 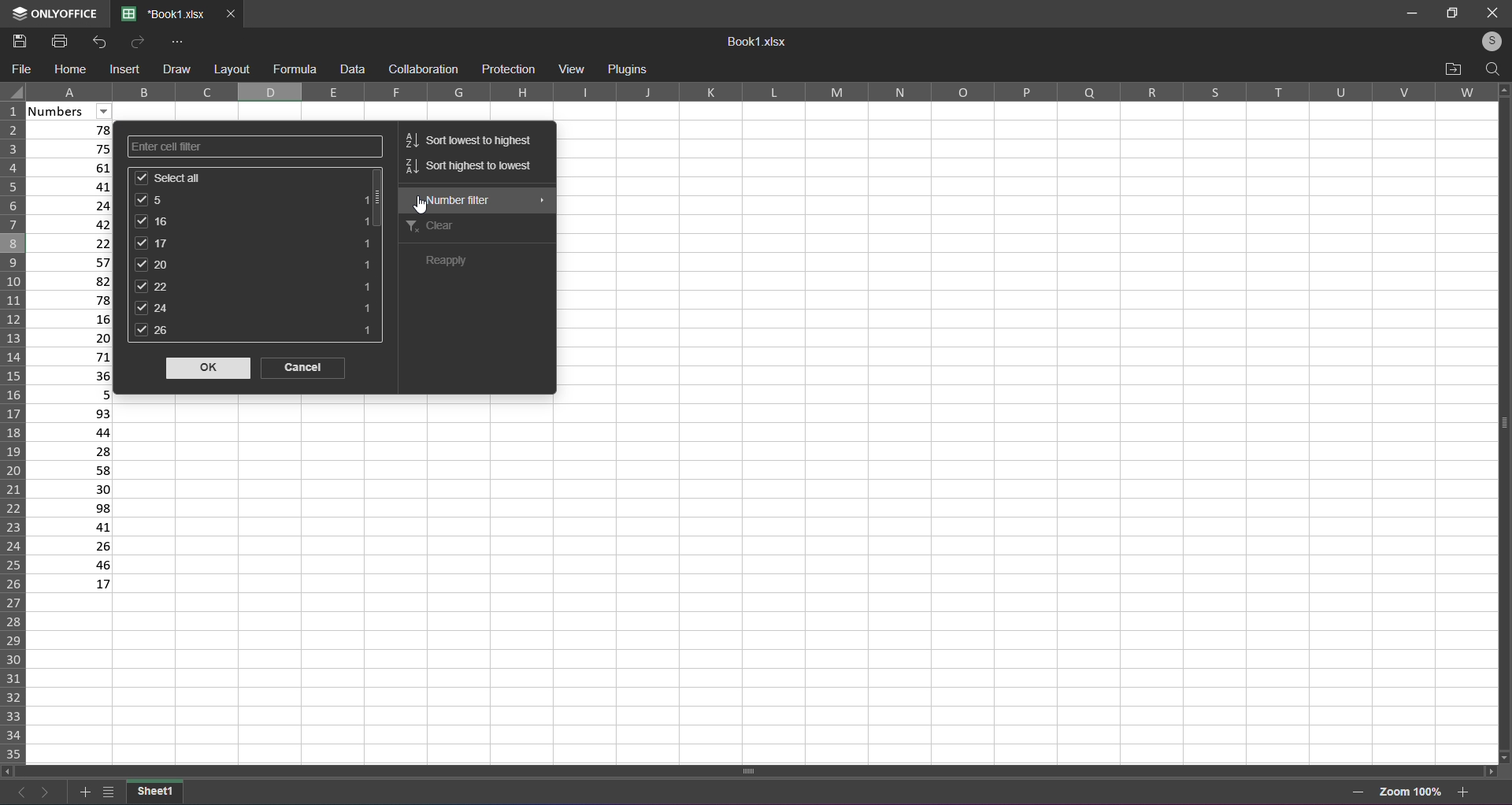 What do you see at coordinates (19, 40) in the screenshot?
I see `save` at bounding box center [19, 40].